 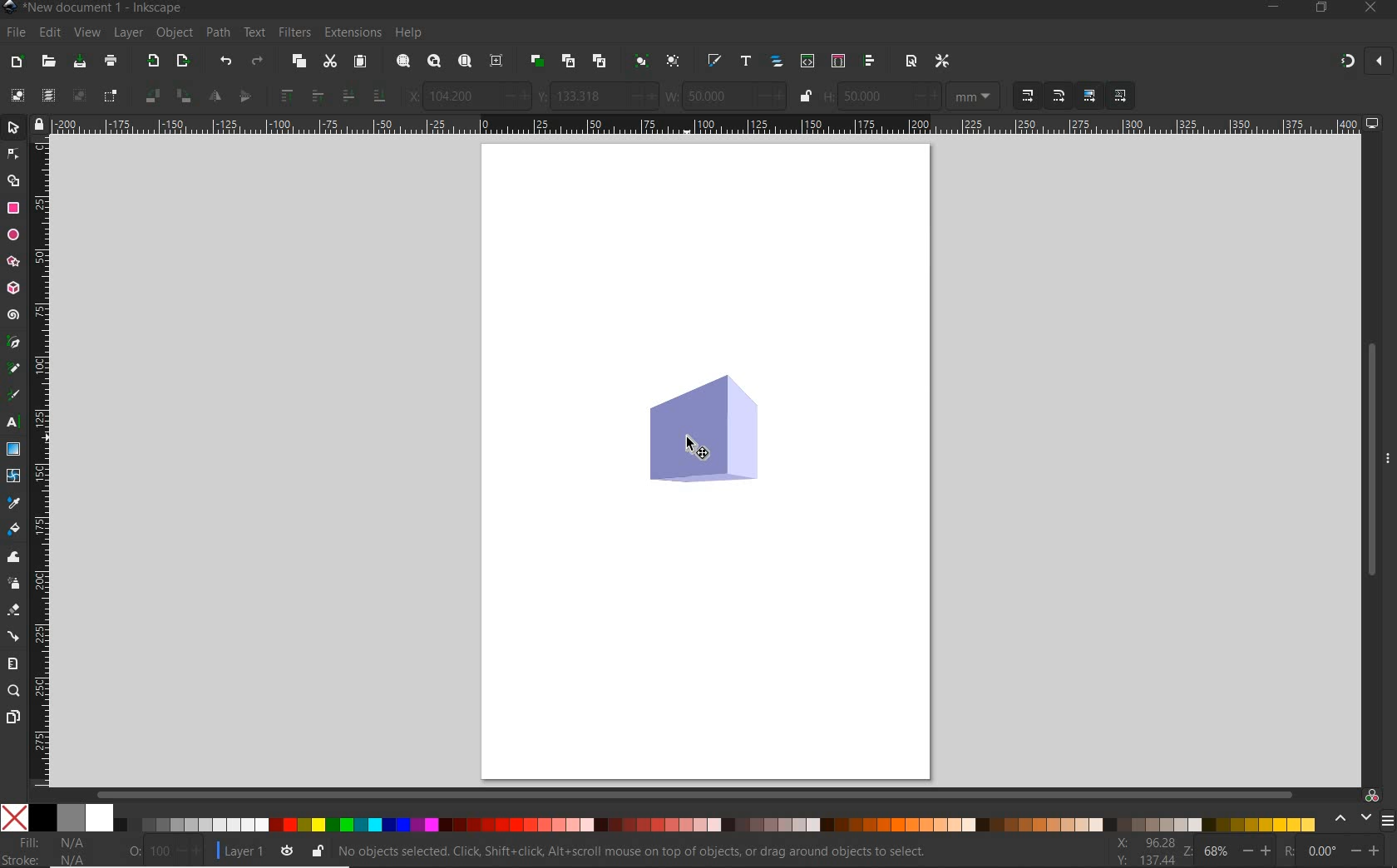 What do you see at coordinates (536, 62) in the screenshot?
I see `duplicate` at bounding box center [536, 62].